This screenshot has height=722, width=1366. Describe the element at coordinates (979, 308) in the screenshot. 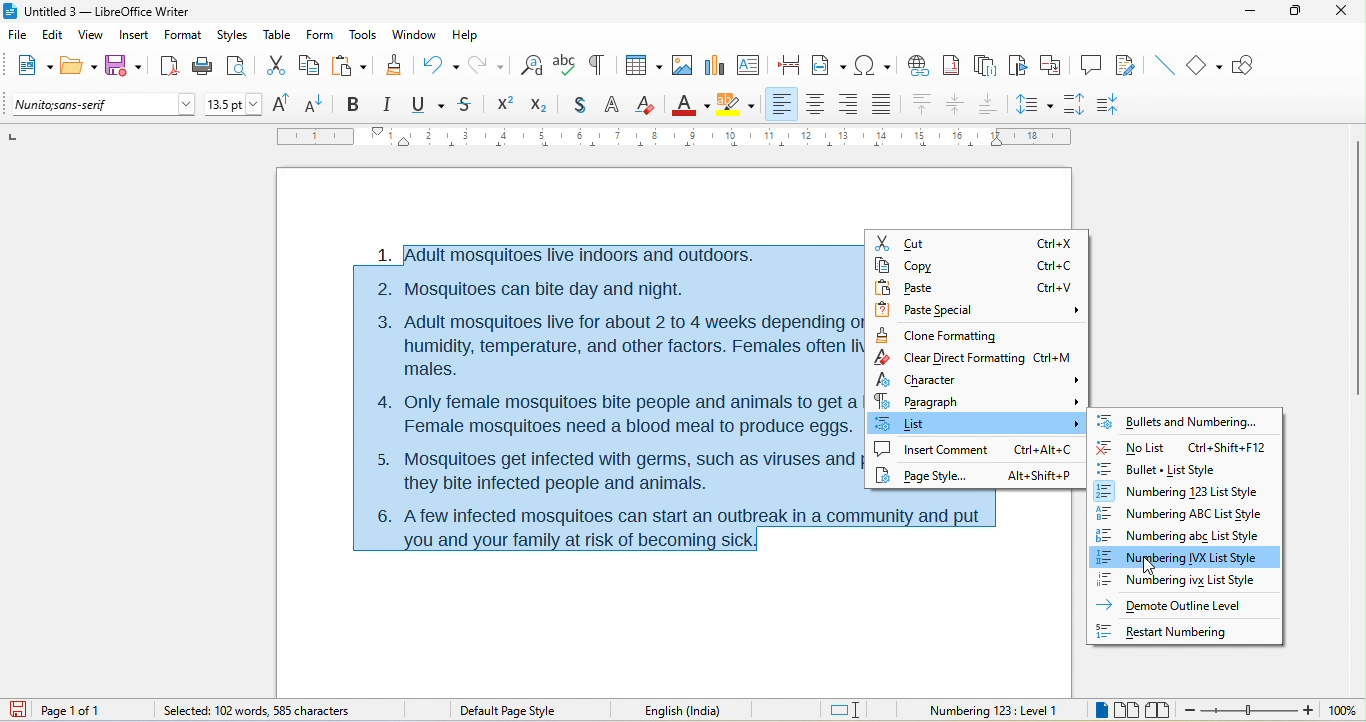

I see `paste special` at that location.